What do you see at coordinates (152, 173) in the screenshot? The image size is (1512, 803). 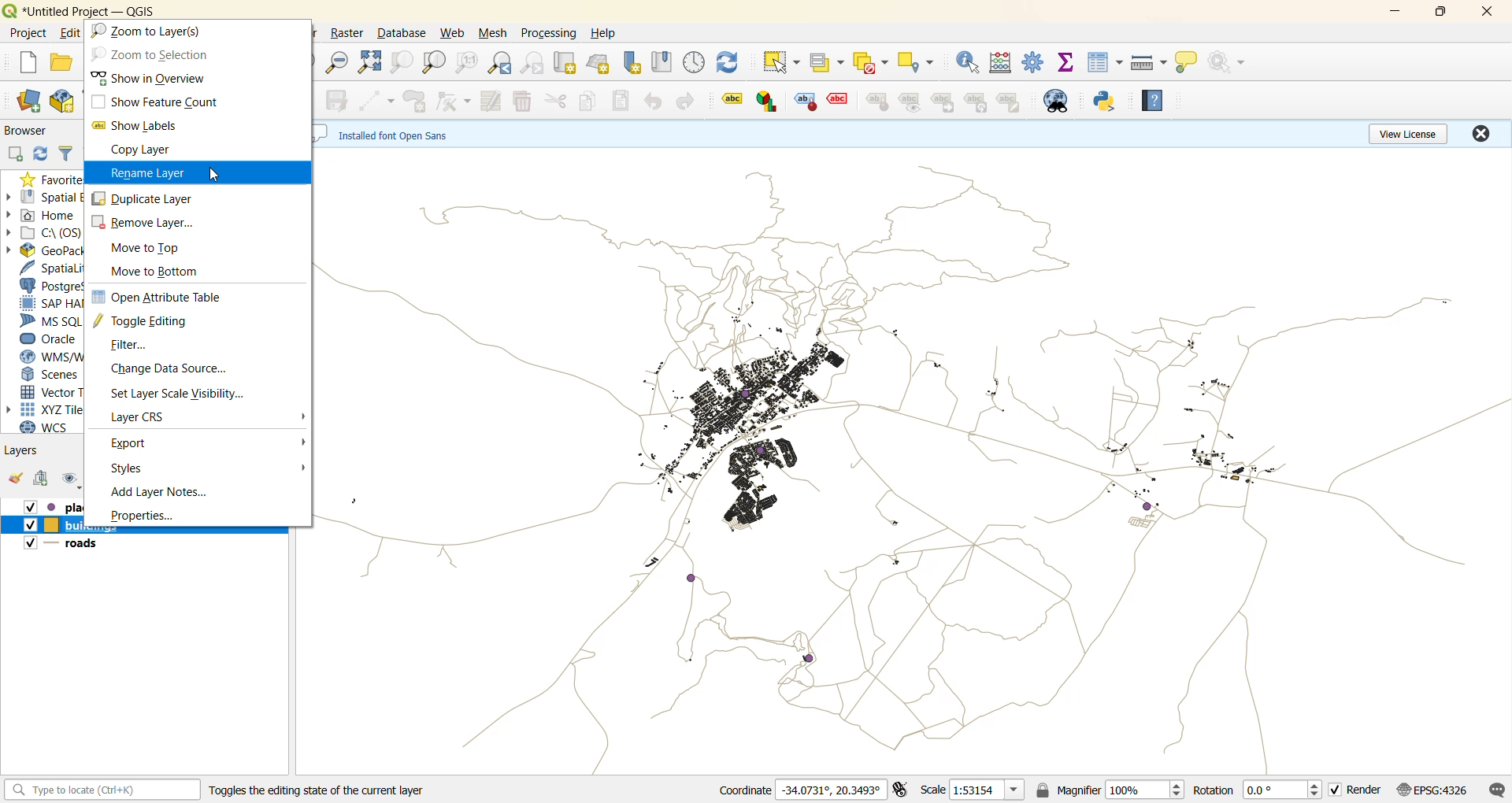 I see `rename layer` at bounding box center [152, 173].